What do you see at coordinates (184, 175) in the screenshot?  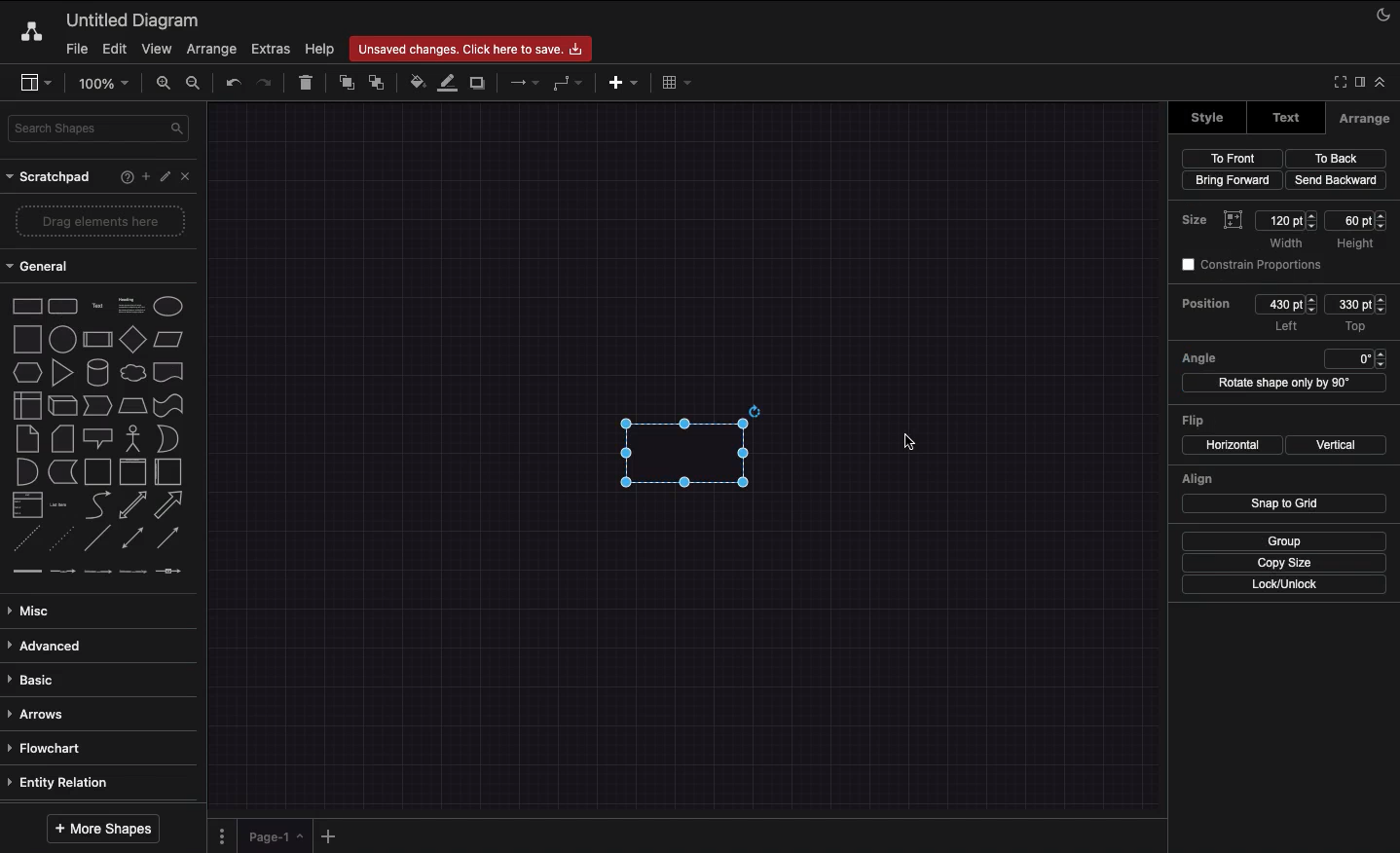 I see `Close` at bounding box center [184, 175].